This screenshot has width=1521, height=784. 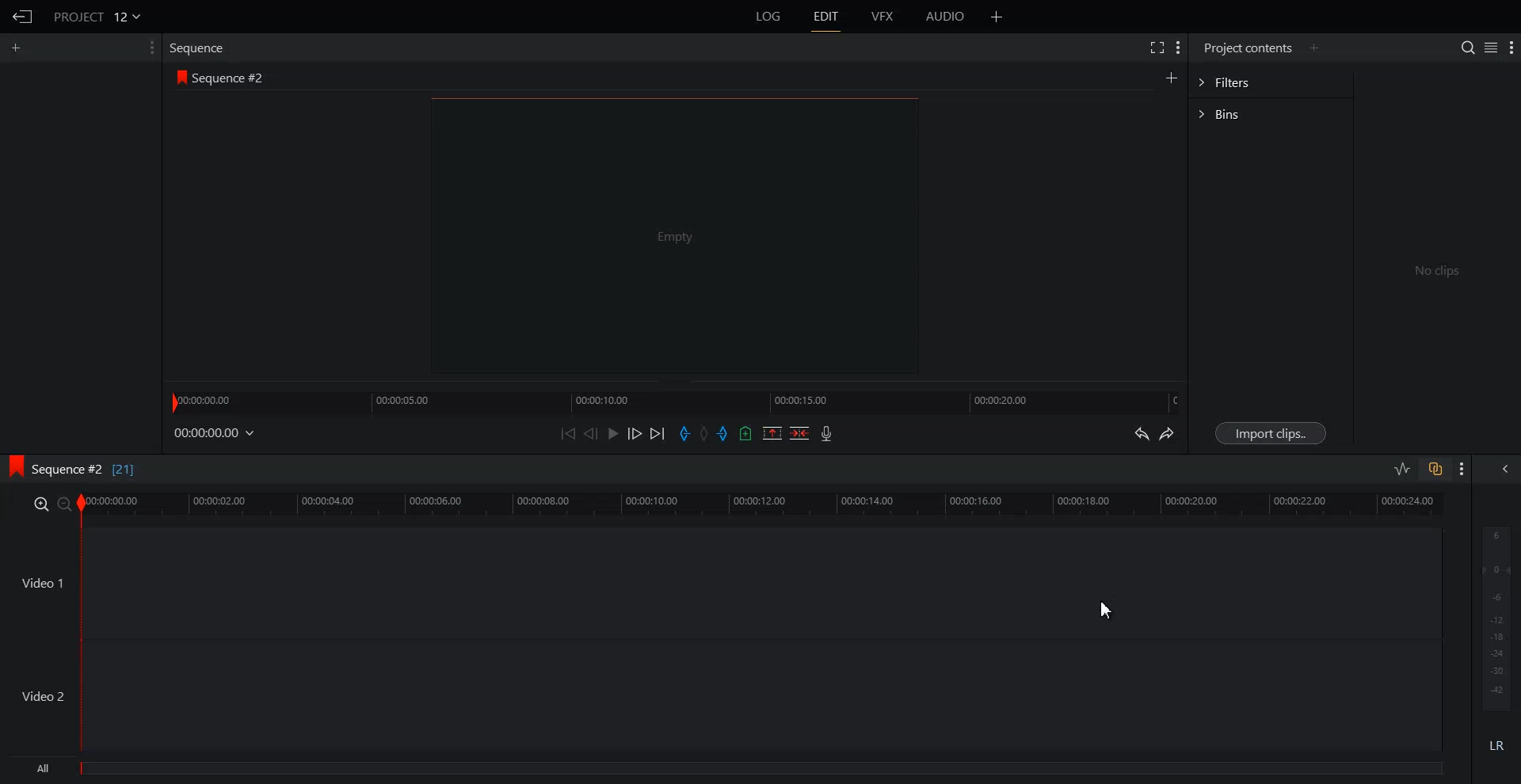 I want to click on Video Preview, so click(x=675, y=236).